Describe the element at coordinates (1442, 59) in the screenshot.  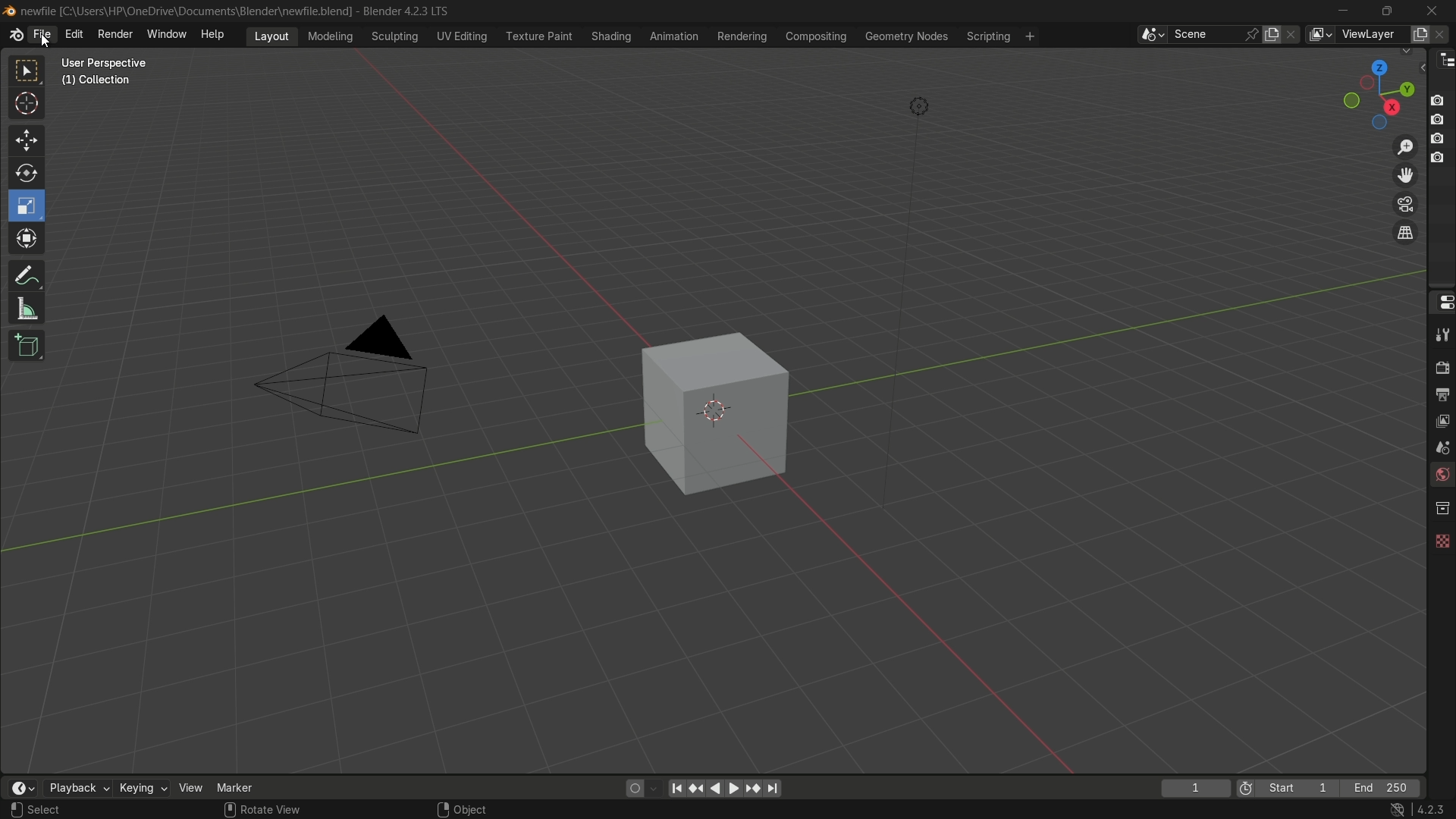
I see `outliner` at that location.